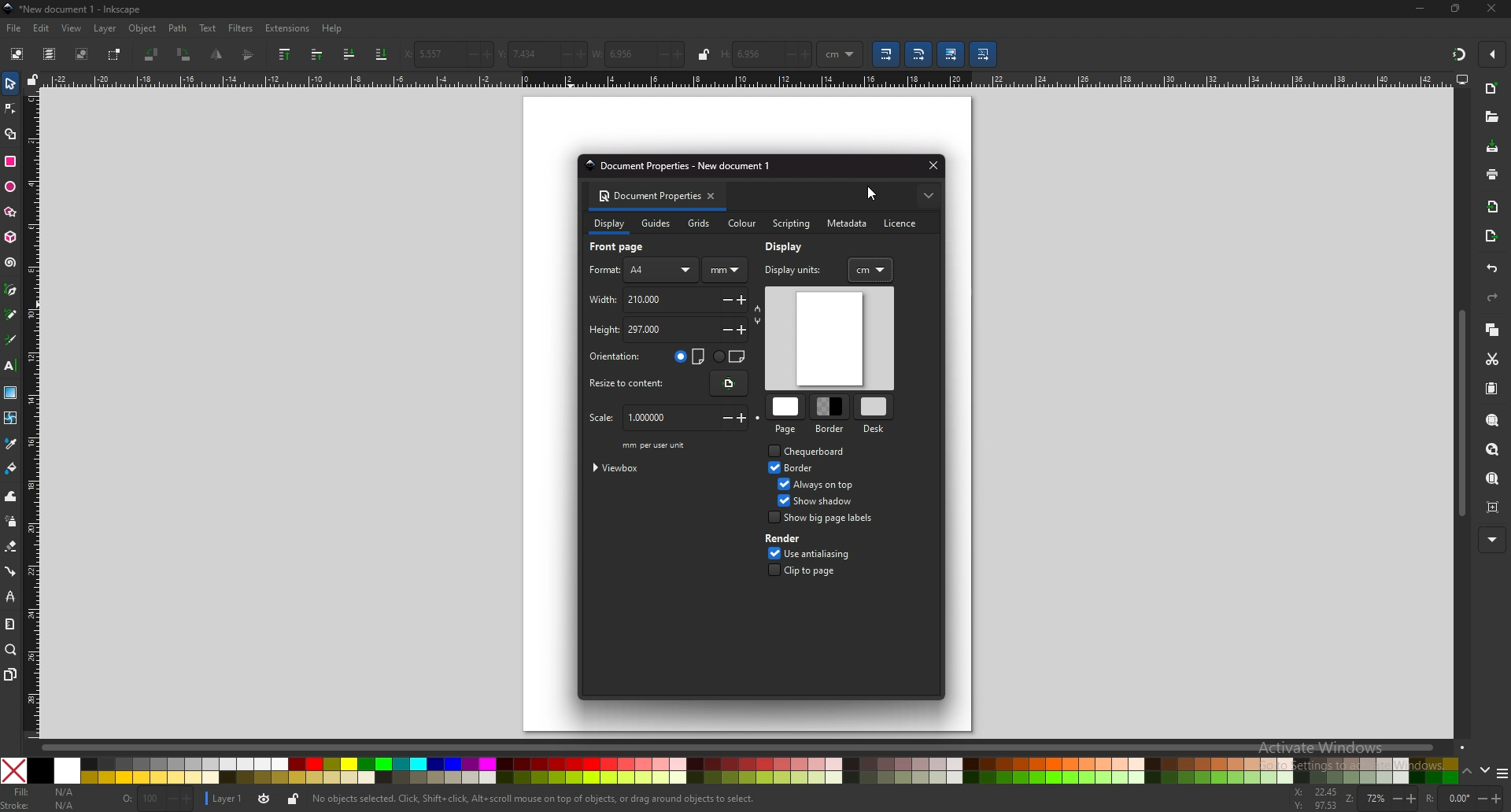 The height and width of the screenshot is (812, 1511). What do you see at coordinates (10, 570) in the screenshot?
I see `connector` at bounding box center [10, 570].